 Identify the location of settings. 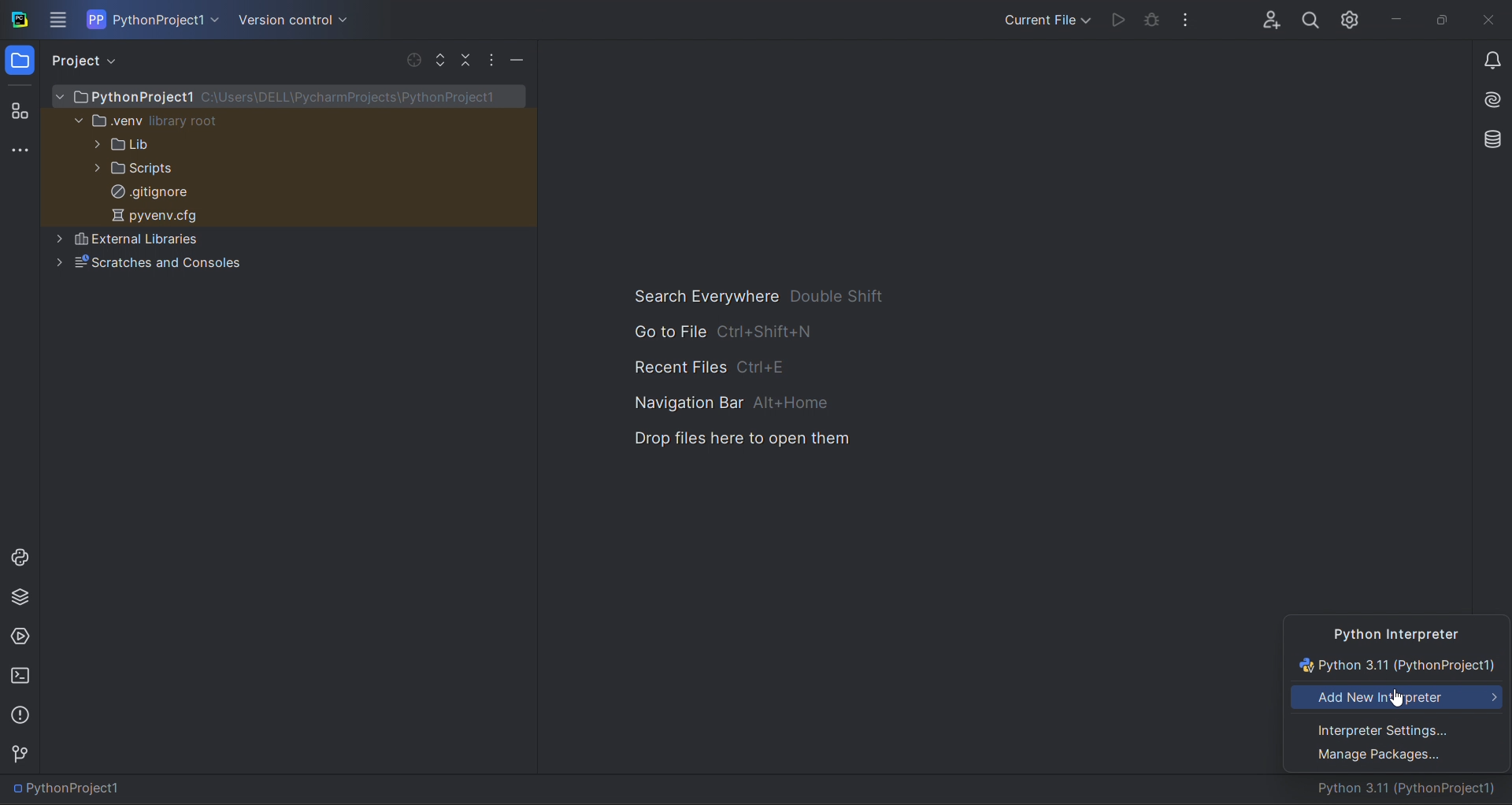
(1397, 729).